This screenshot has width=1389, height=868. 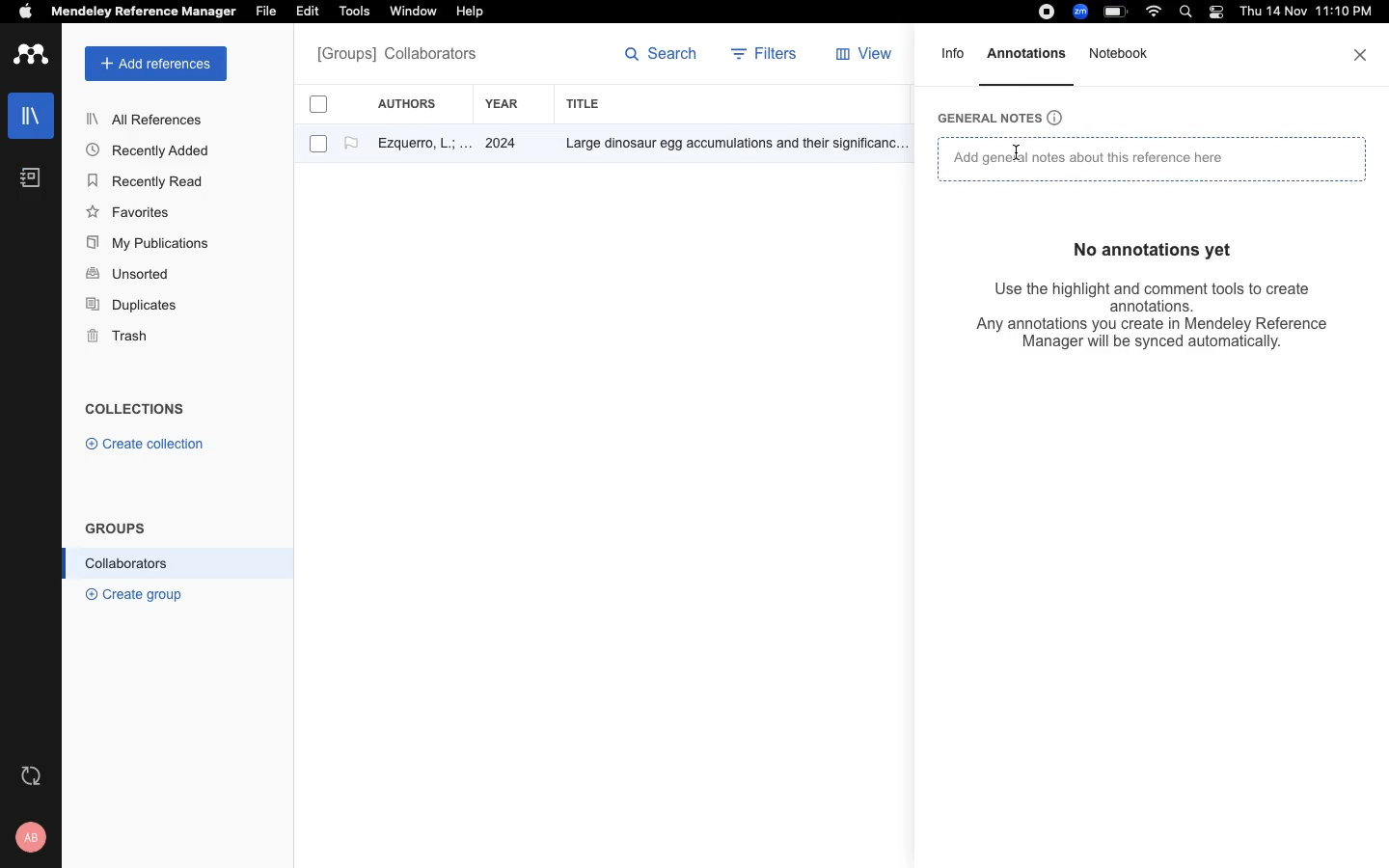 What do you see at coordinates (767, 56) in the screenshot?
I see `filters` at bounding box center [767, 56].